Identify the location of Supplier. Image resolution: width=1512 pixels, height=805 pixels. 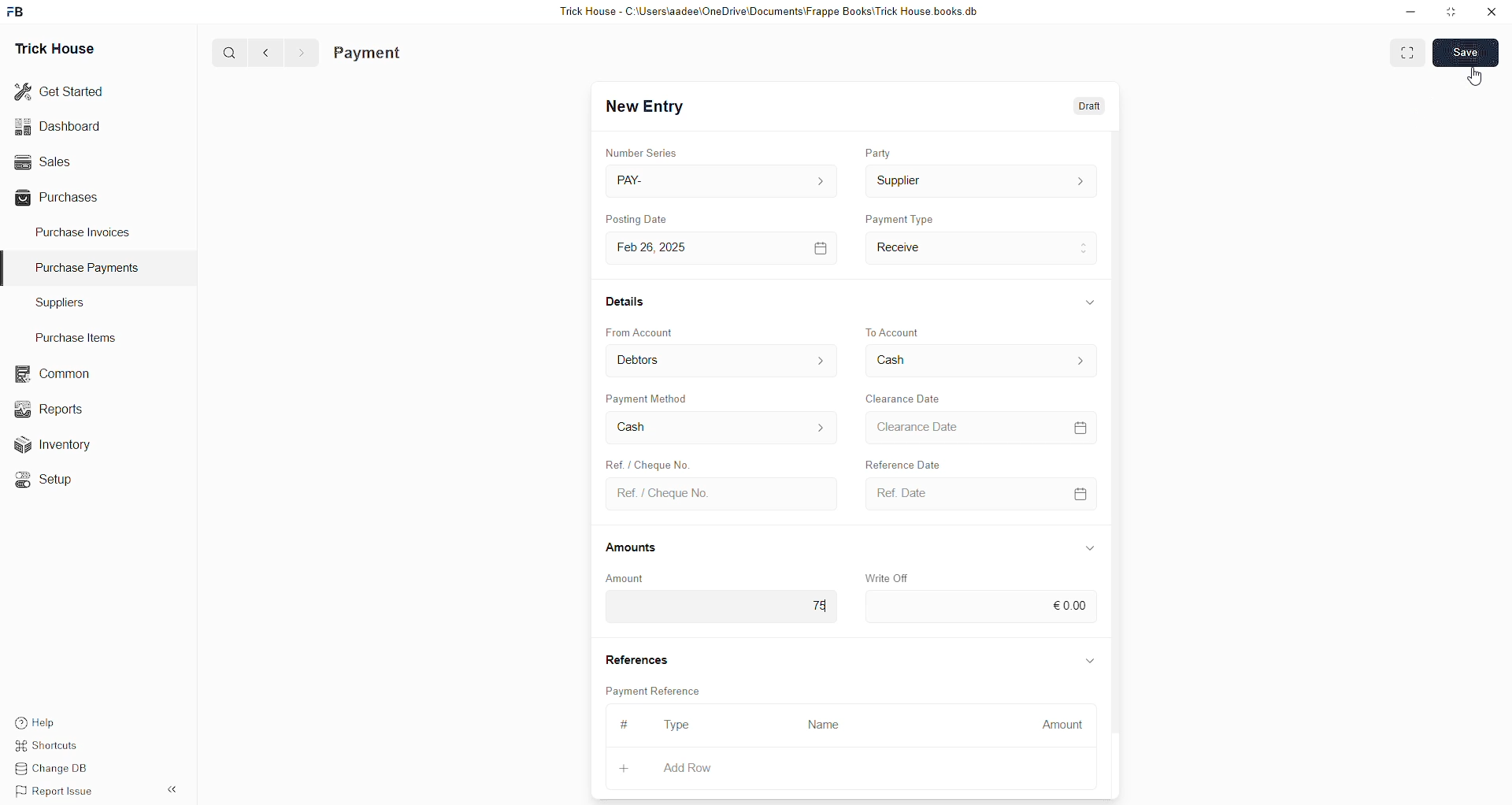
(980, 182).